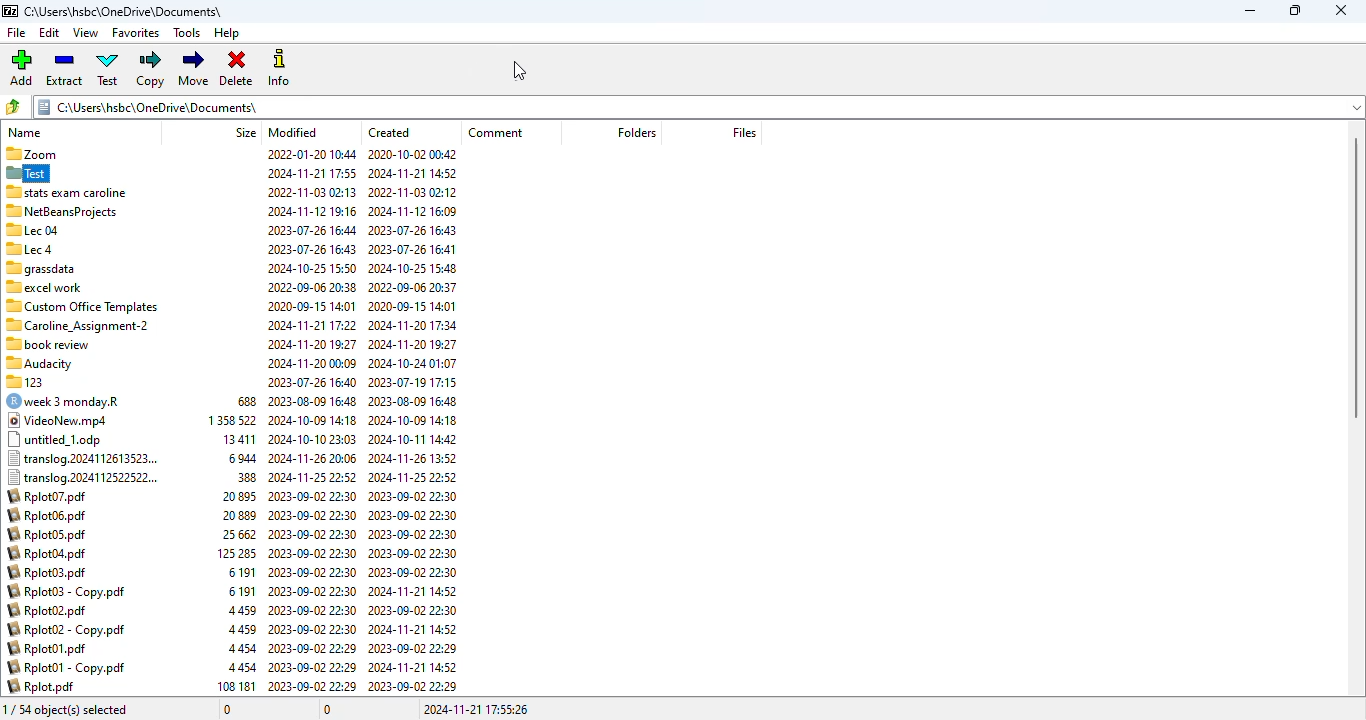 This screenshot has width=1366, height=720. What do you see at coordinates (55, 420) in the screenshot?
I see `VideoNew.mp4` at bounding box center [55, 420].